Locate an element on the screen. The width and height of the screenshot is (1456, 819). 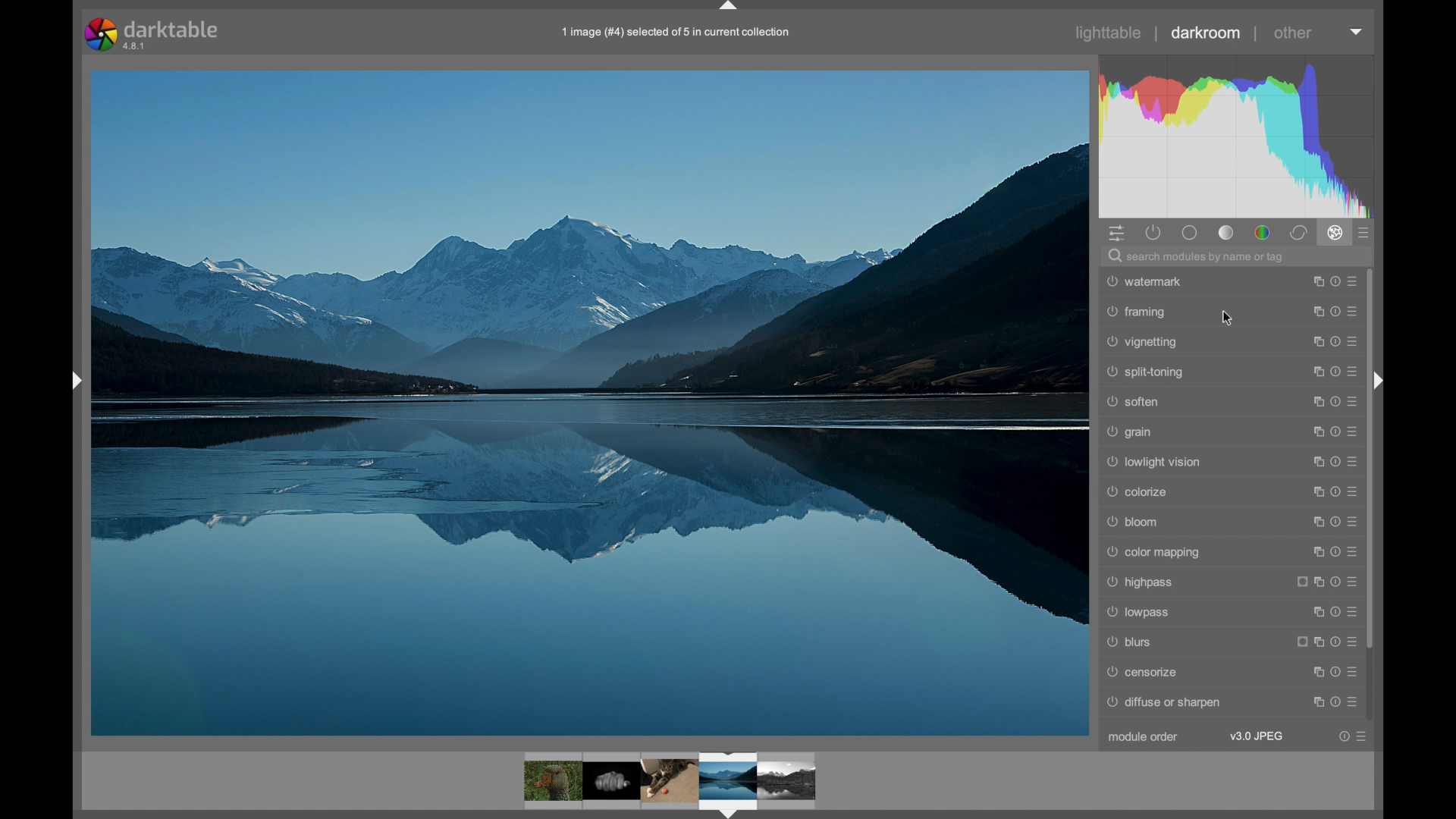
censorize is located at coordinates (1143, 672).